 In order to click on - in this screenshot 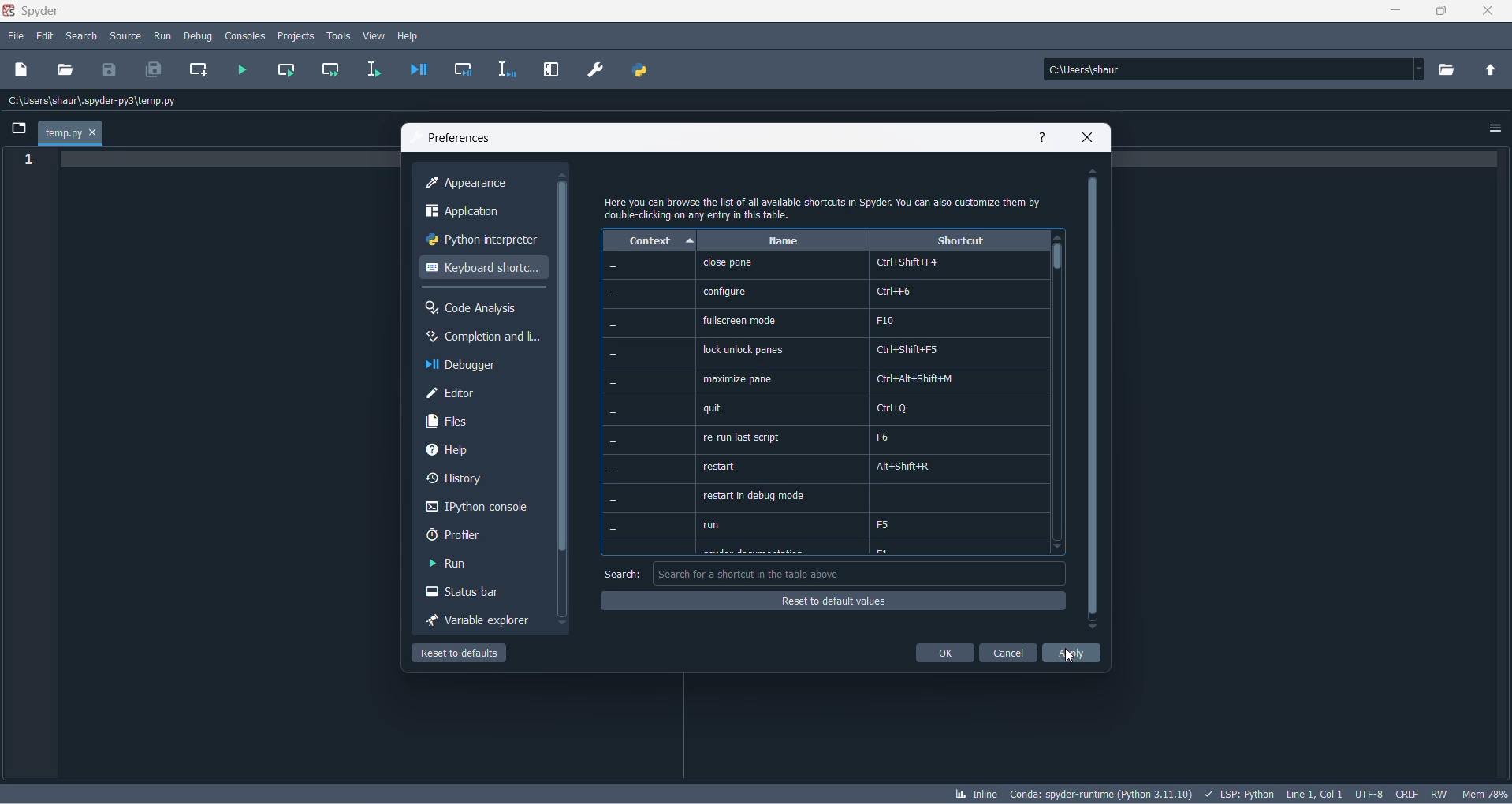, I will do `click(613, 410)`.